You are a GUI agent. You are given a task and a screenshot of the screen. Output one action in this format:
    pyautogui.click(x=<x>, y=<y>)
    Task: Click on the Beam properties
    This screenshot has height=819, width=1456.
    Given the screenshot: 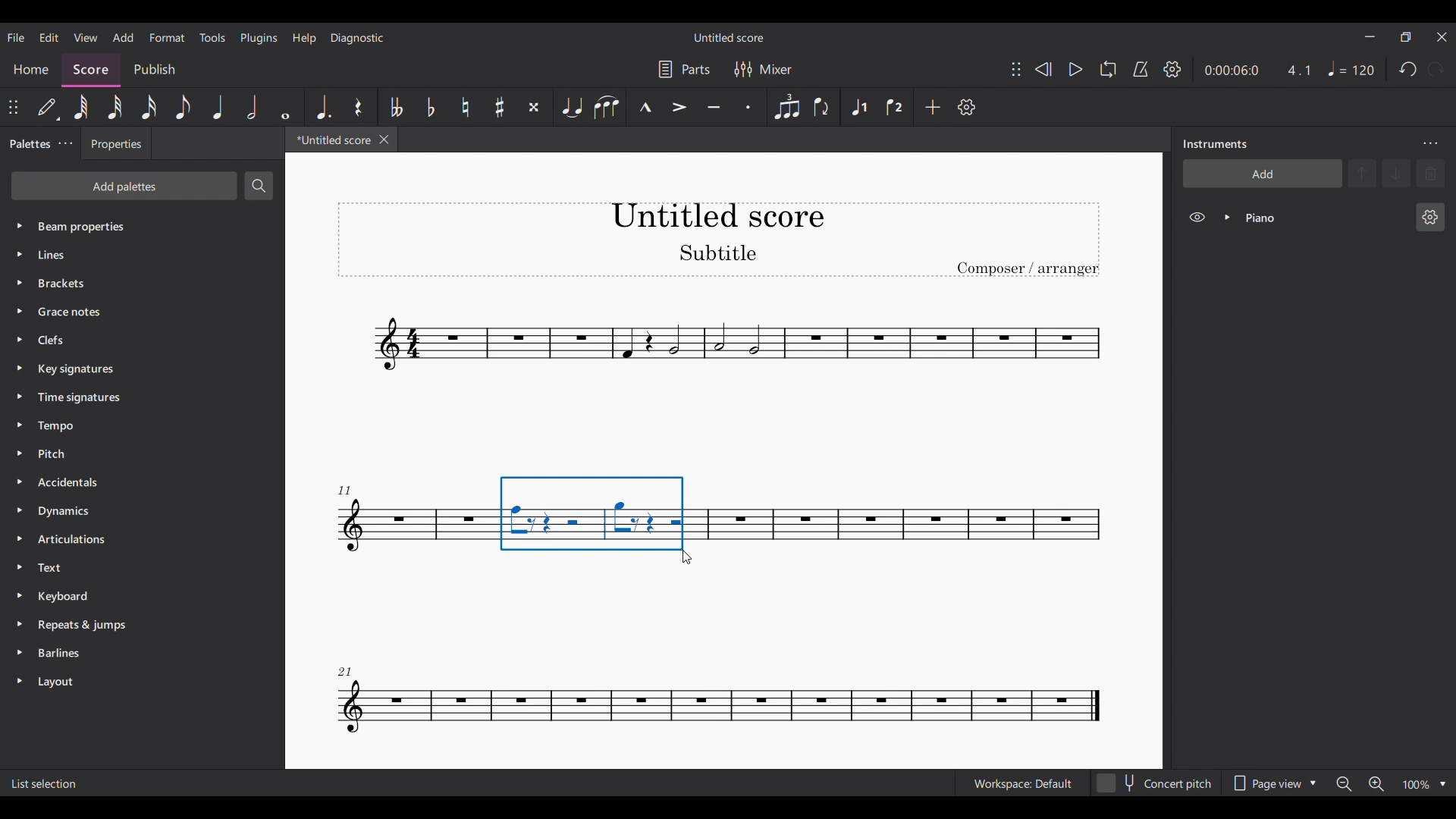 What is the action you would take?
    pyautogui.click(x=137, y=225)
    